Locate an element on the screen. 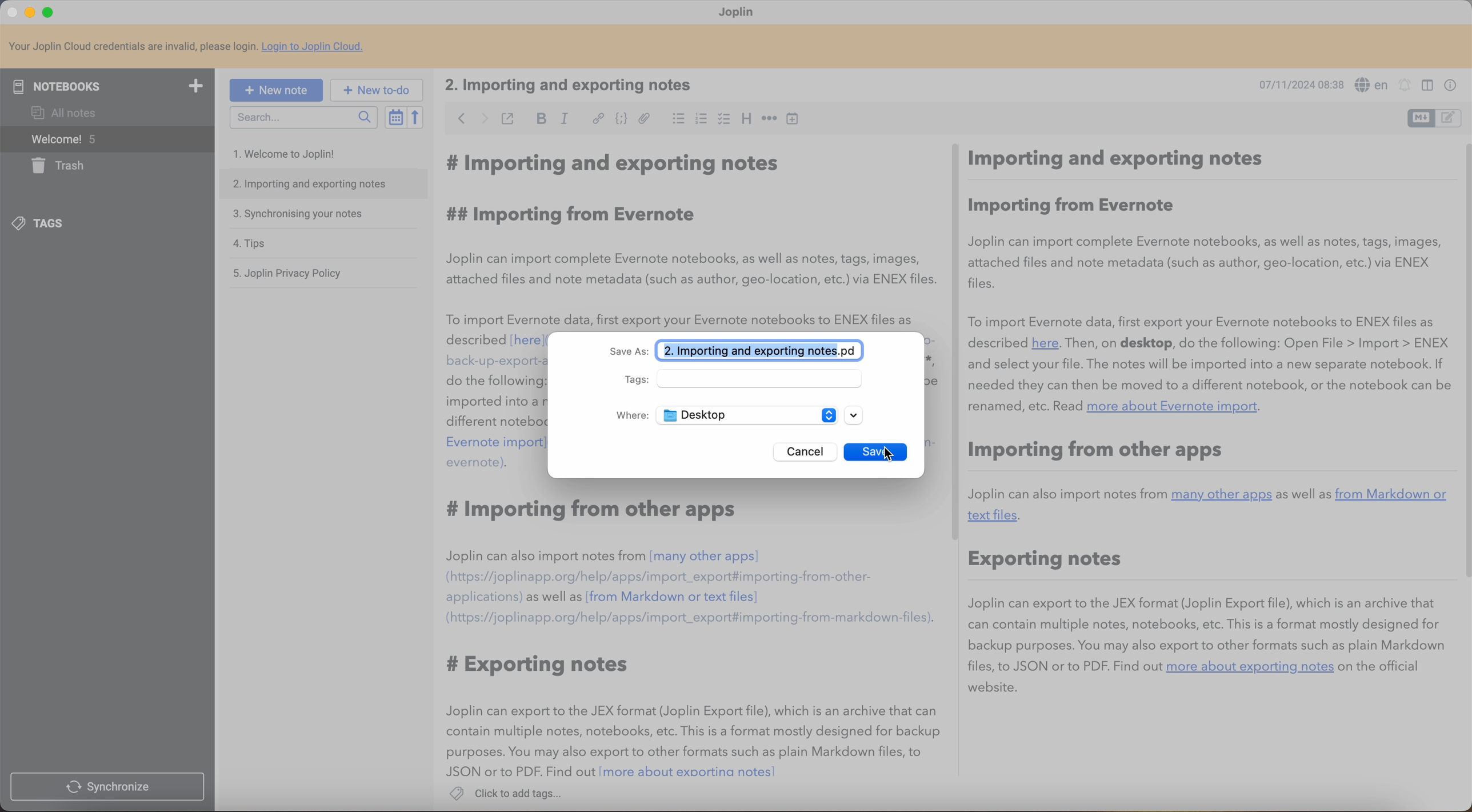  foward is located at coordinates (481, 119).